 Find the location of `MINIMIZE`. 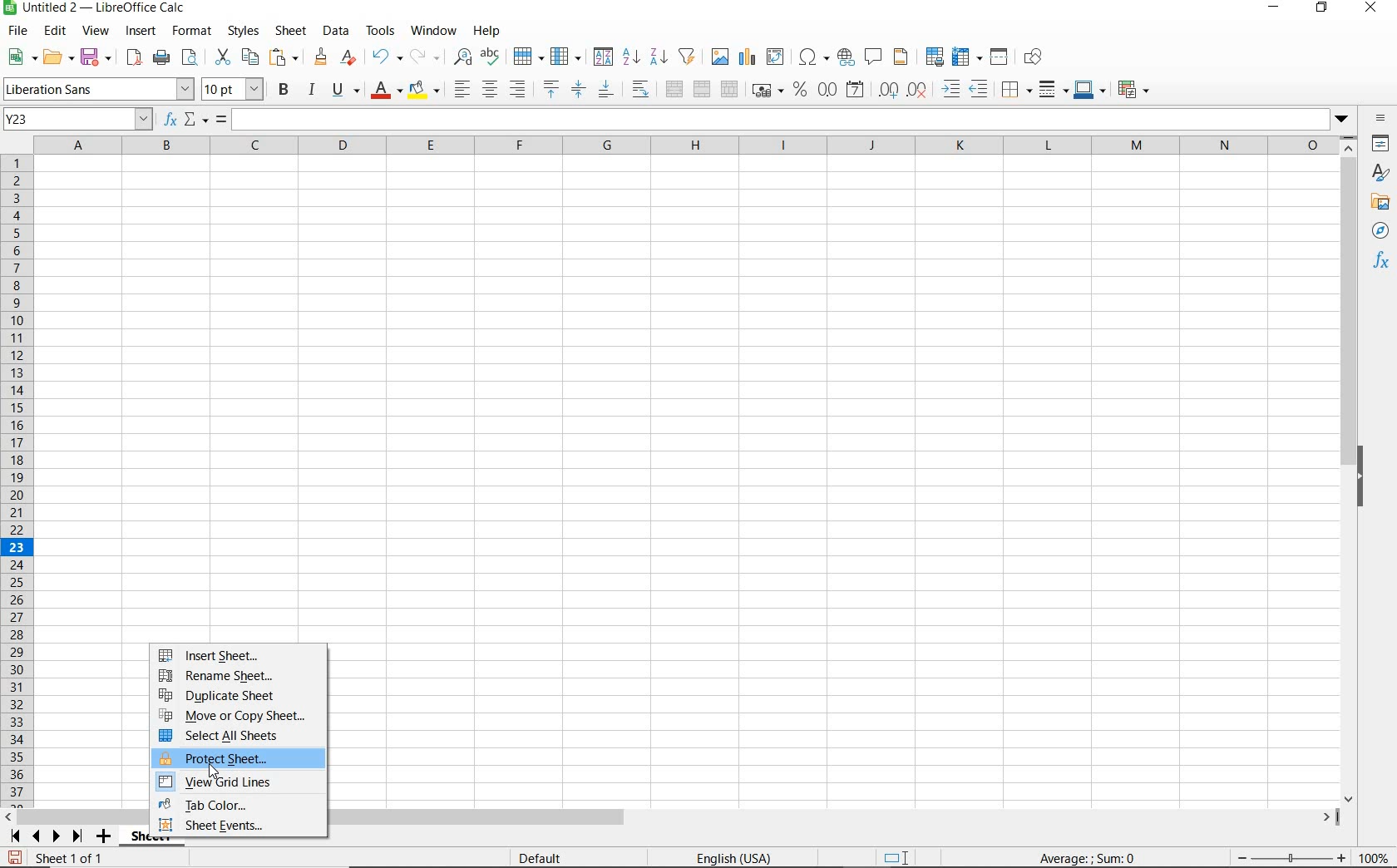

MINIMIZE is located at coordinates (1276, 8).